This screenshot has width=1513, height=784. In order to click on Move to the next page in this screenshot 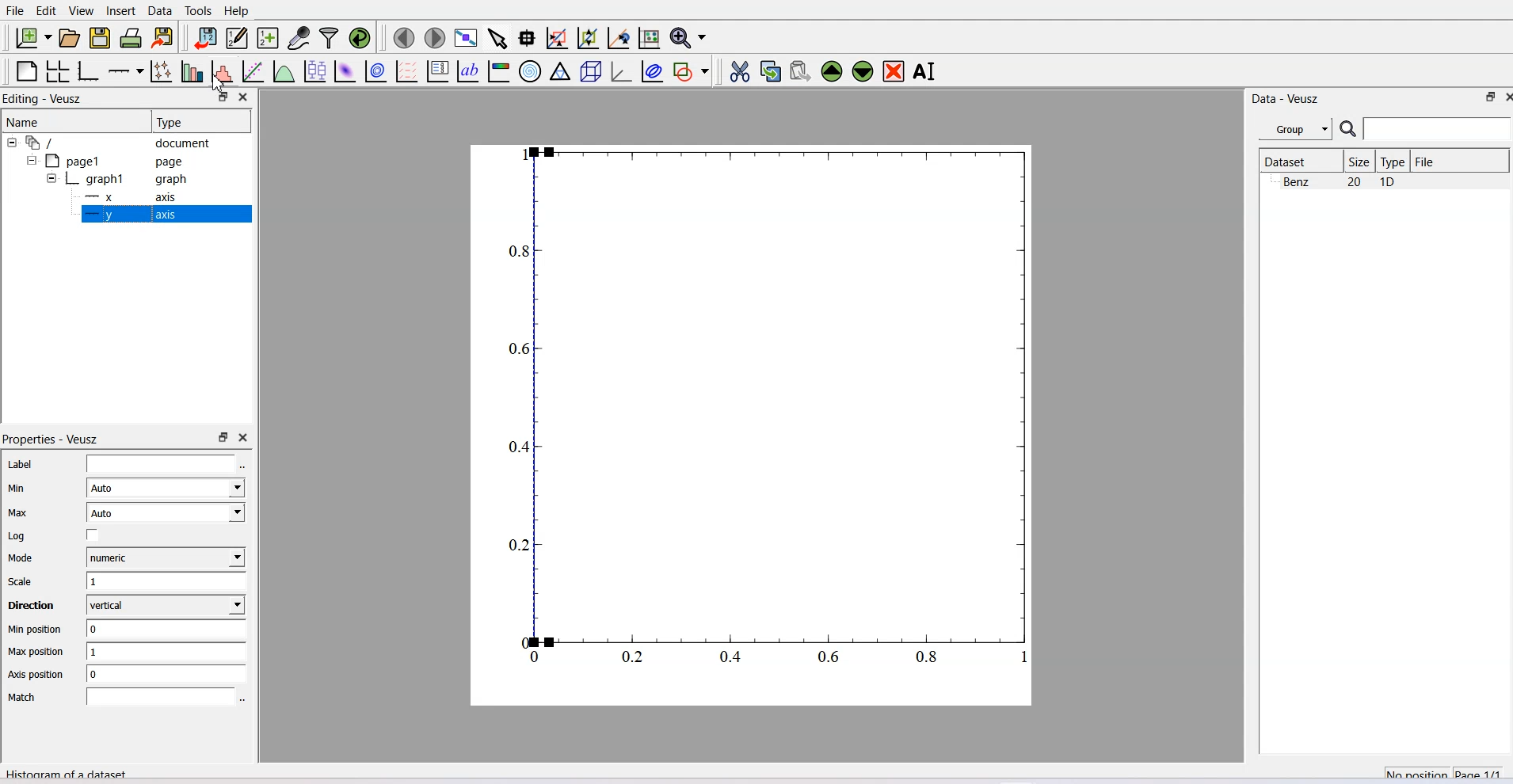, I will do `click(436, 38)`.